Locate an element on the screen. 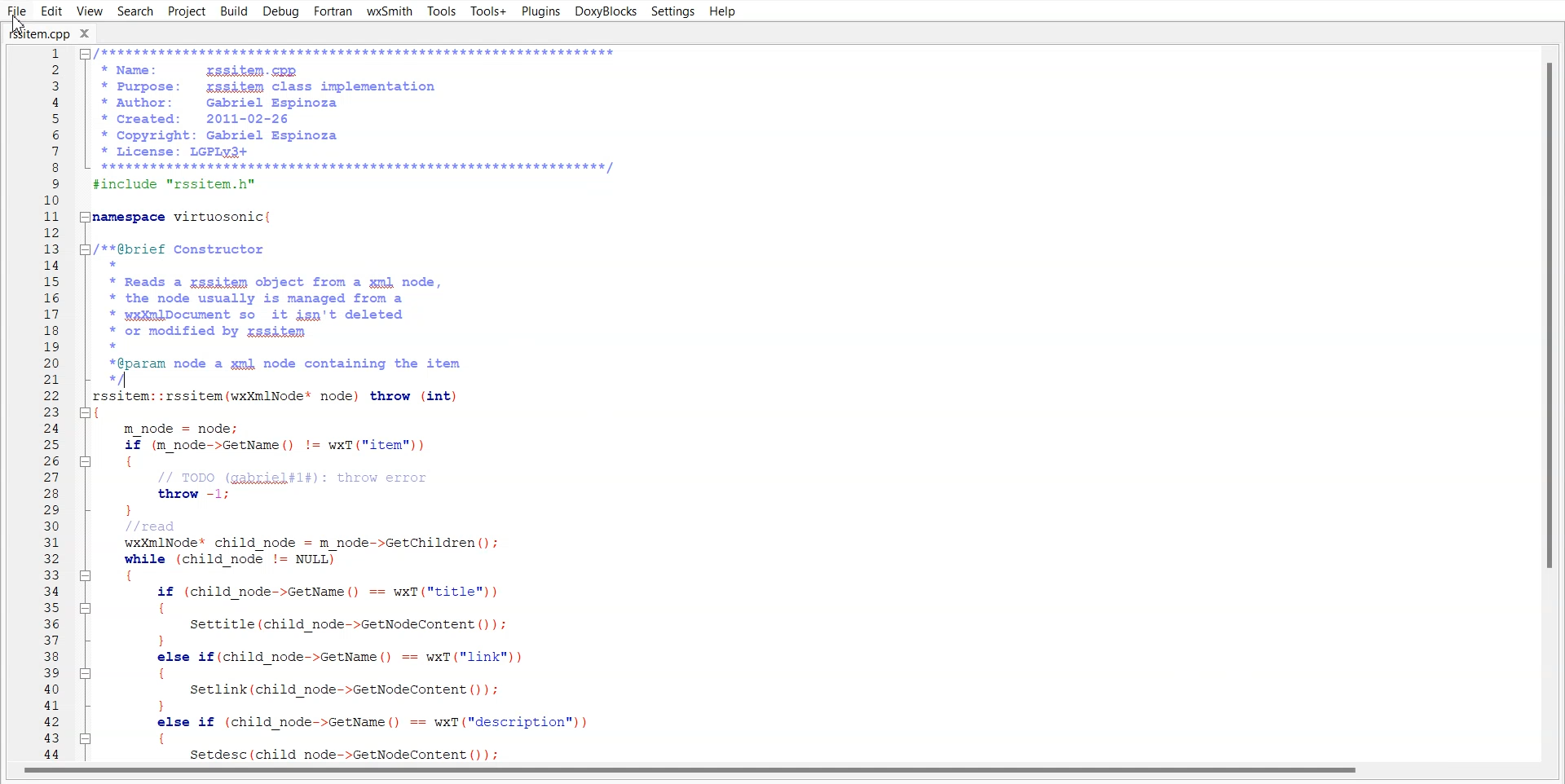 This screenshot has height=784, width=1565. Collapse is located at coordinates (86, 249).